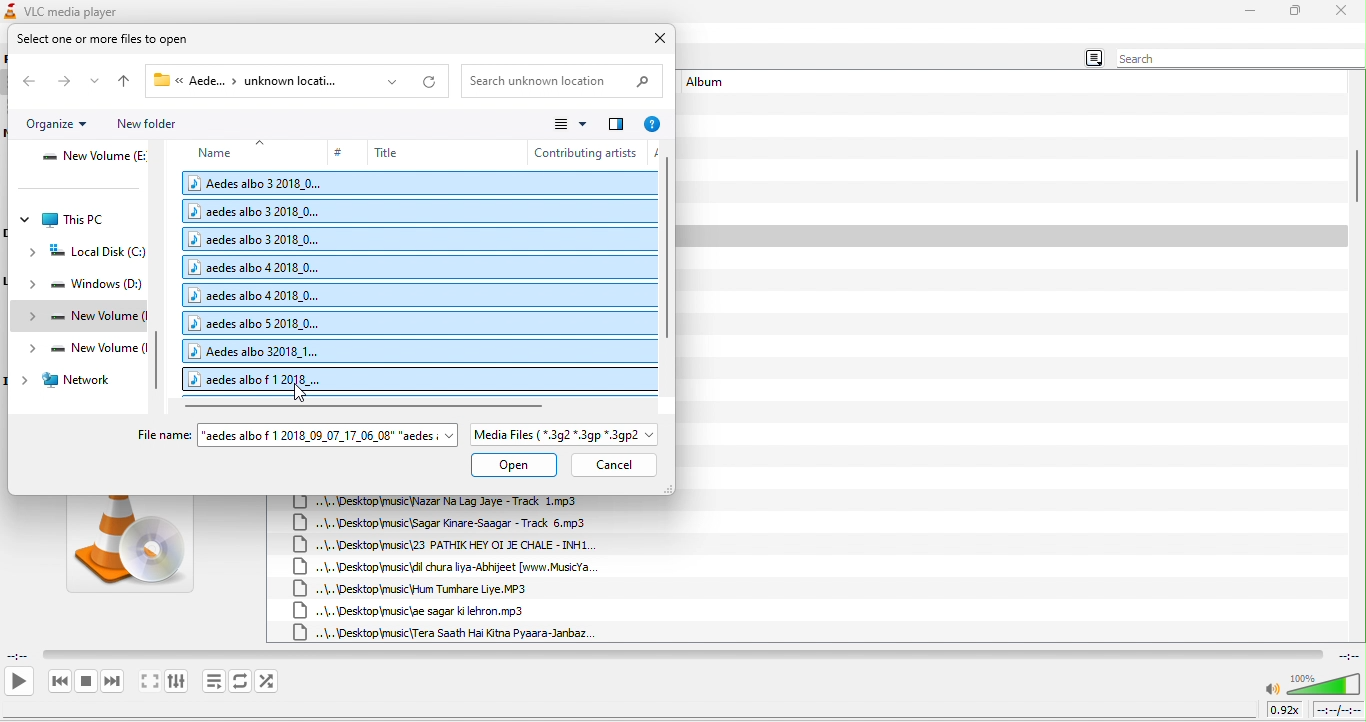 The height and width of the screenshot is (722, 1366). I want to click on VLC media player, so click(84, 10).